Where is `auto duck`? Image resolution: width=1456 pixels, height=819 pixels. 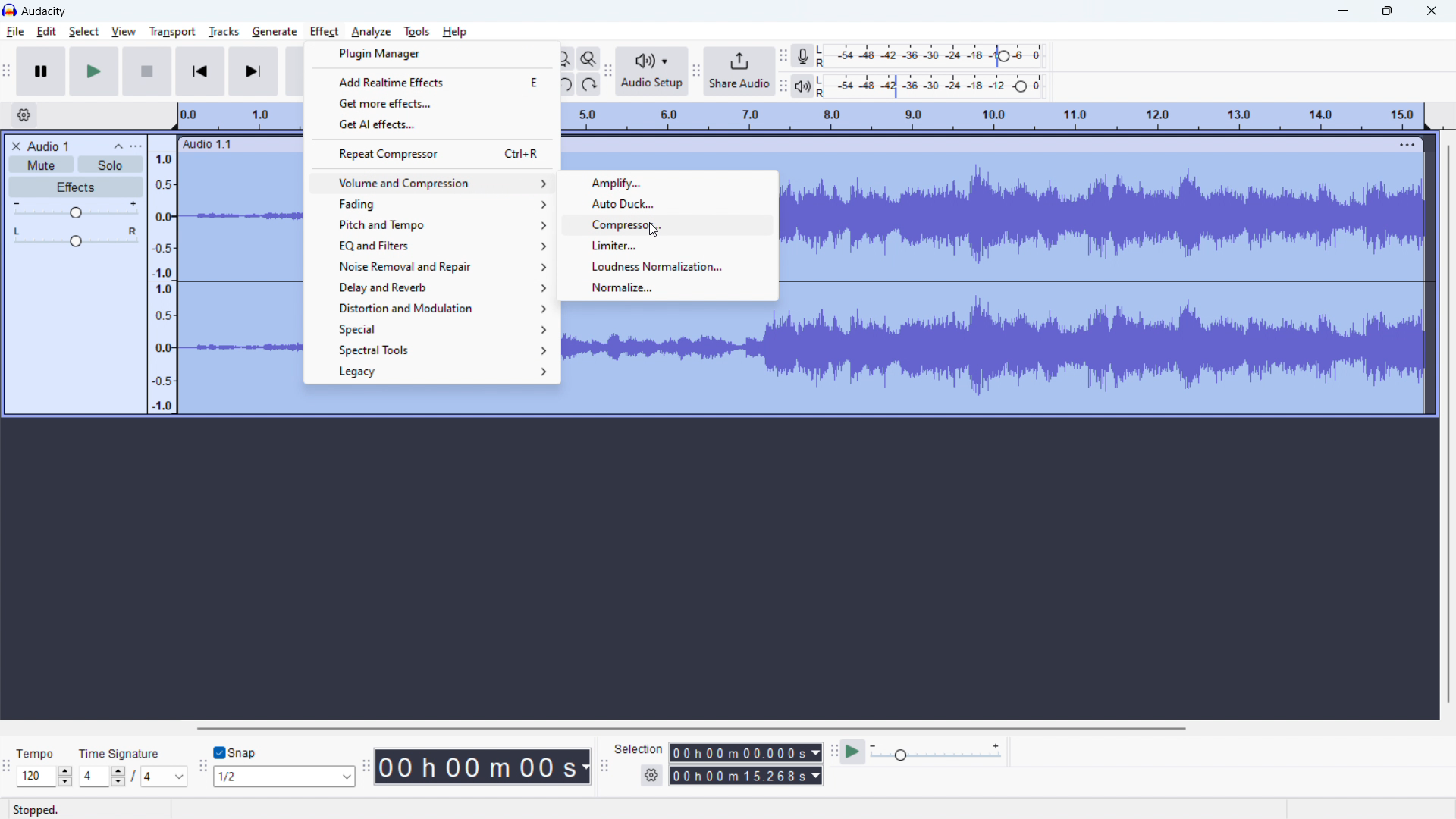
auto duck is located at coordinates (668, 203).